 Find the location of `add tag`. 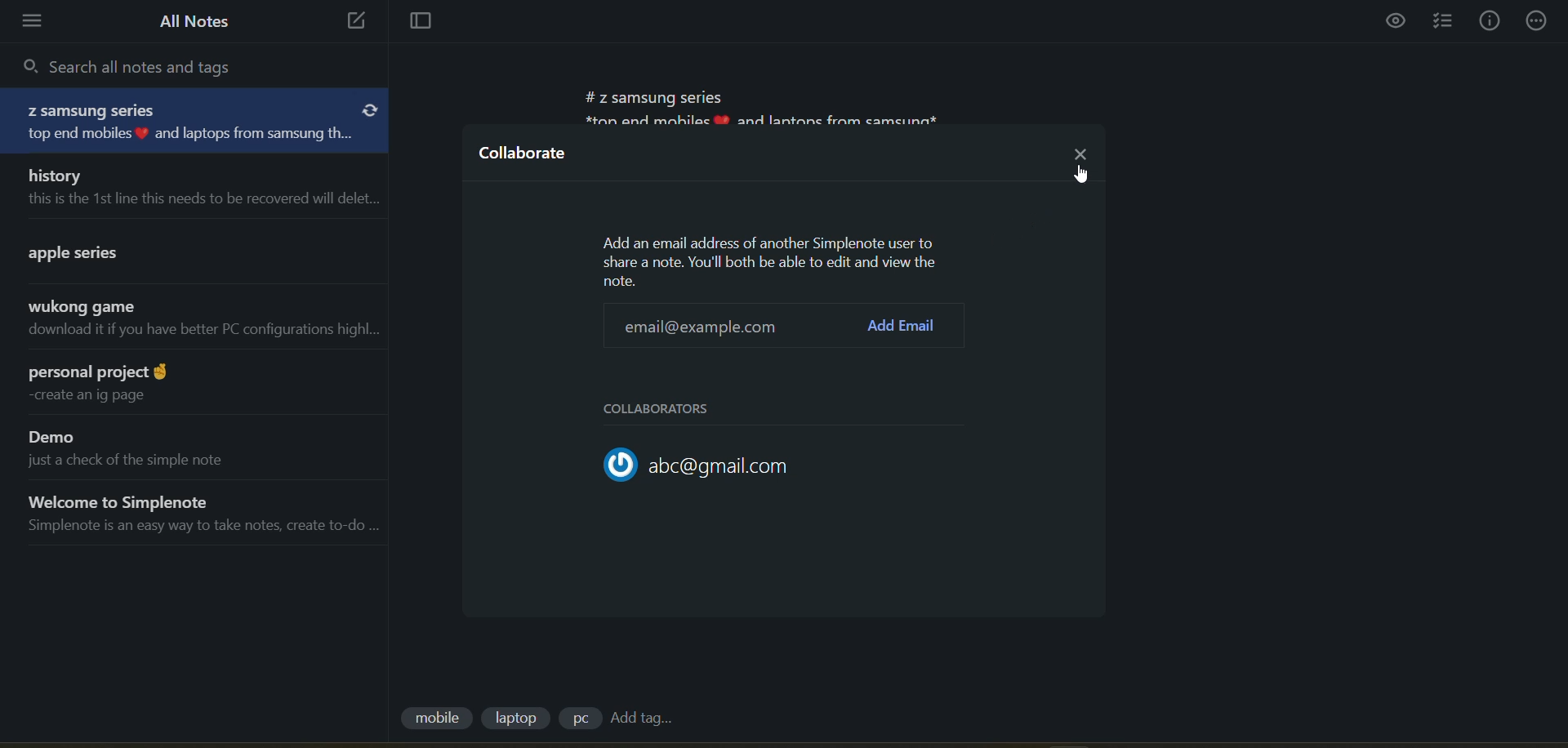

add tag is located at coordinates (640, 719).